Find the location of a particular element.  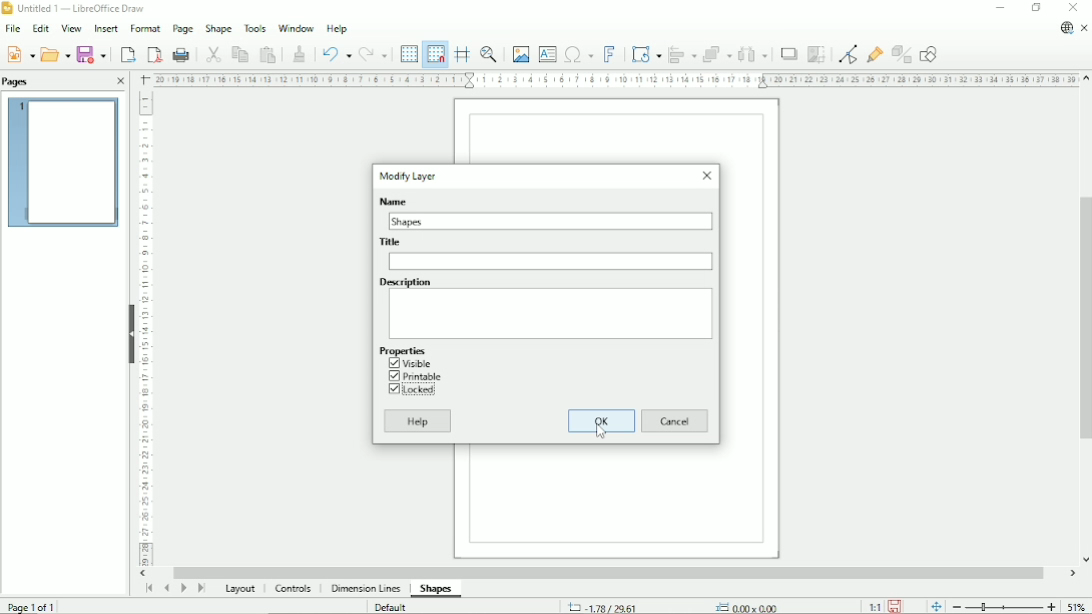

Page 1 of 1 is located at coordinates (33, 605).